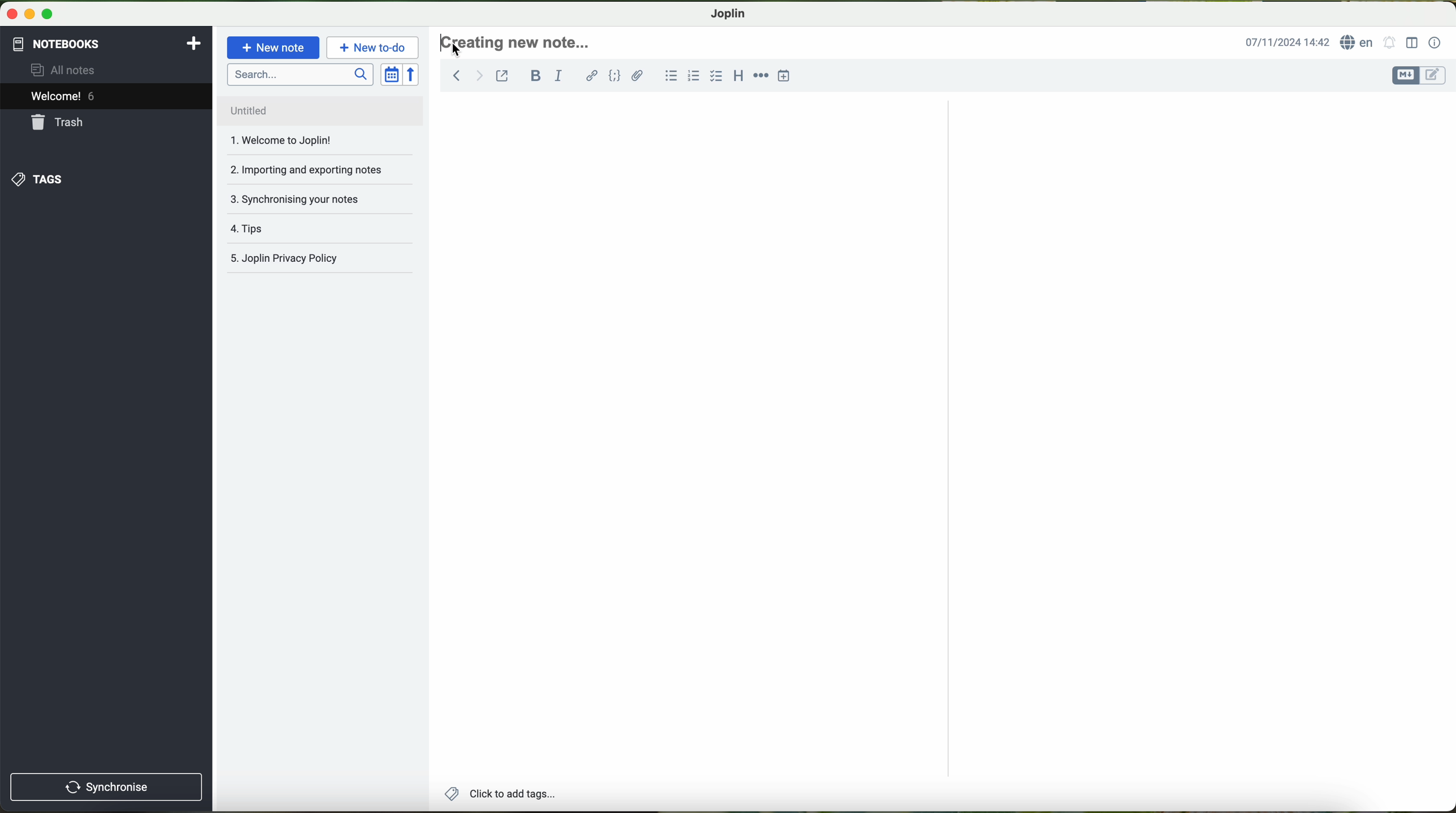  What do you see at coordinates (740, 77) in the screenshot?
I see `heading` at bounding box center [740, 77].